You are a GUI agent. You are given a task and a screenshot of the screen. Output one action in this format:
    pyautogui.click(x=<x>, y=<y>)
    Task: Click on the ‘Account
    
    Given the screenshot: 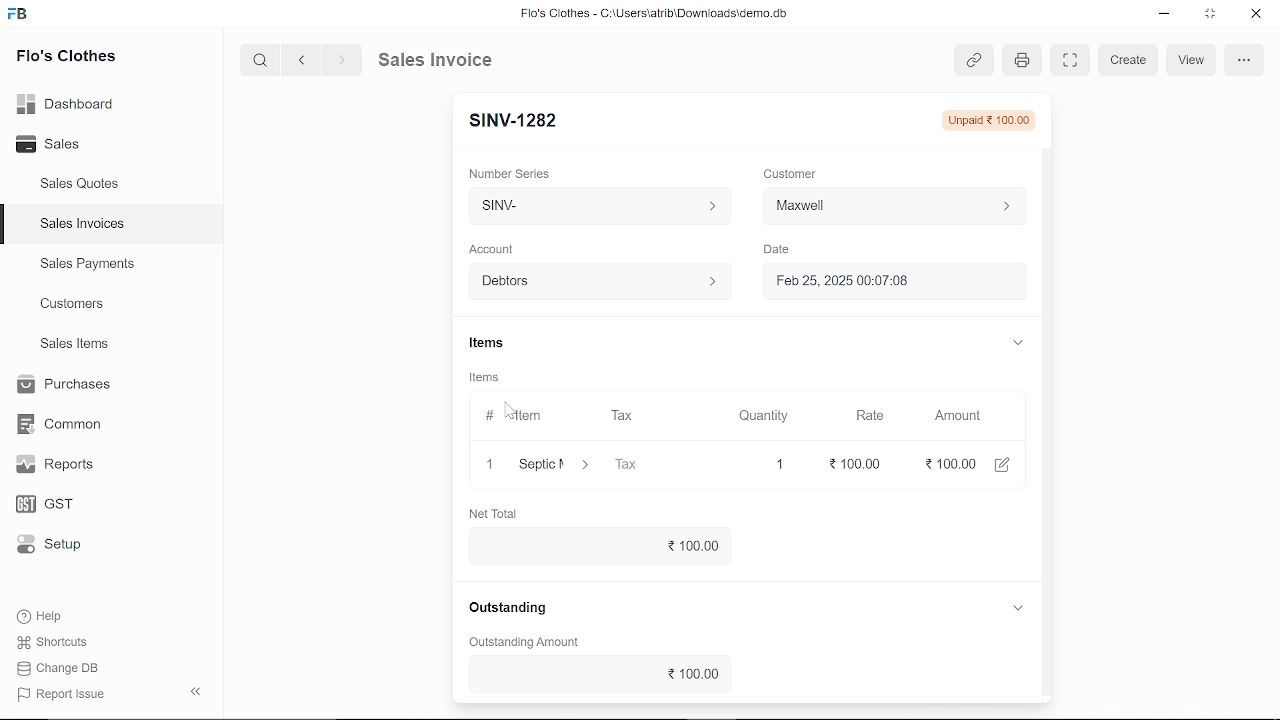 What is the action you would take?
    pyautogui.click(x=491, y=248)
    